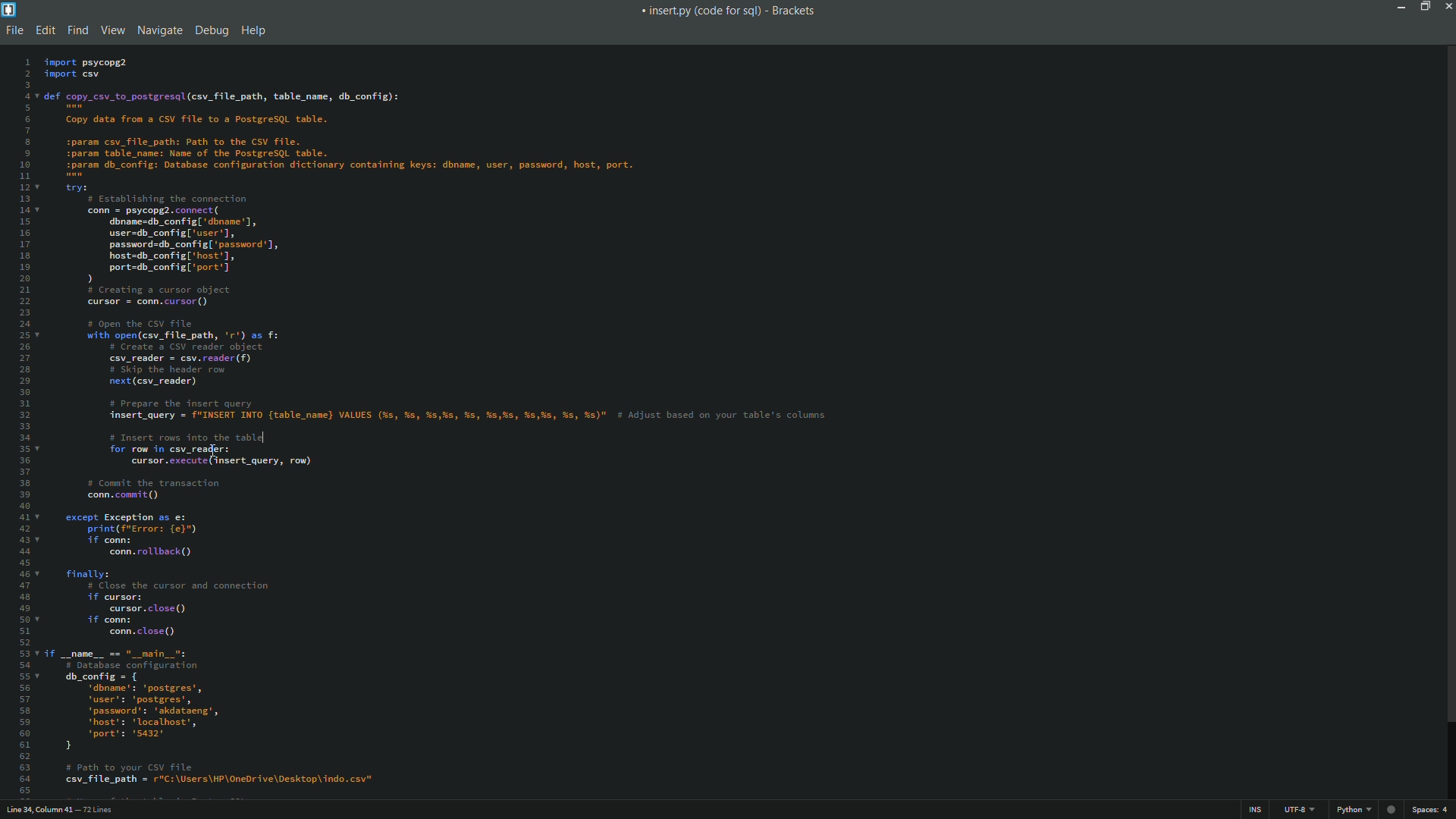 This screenshot has height=819, width=1456. Describe the element at coordinates (45, 30) in the screenshot. I see `edit menu` at that location.